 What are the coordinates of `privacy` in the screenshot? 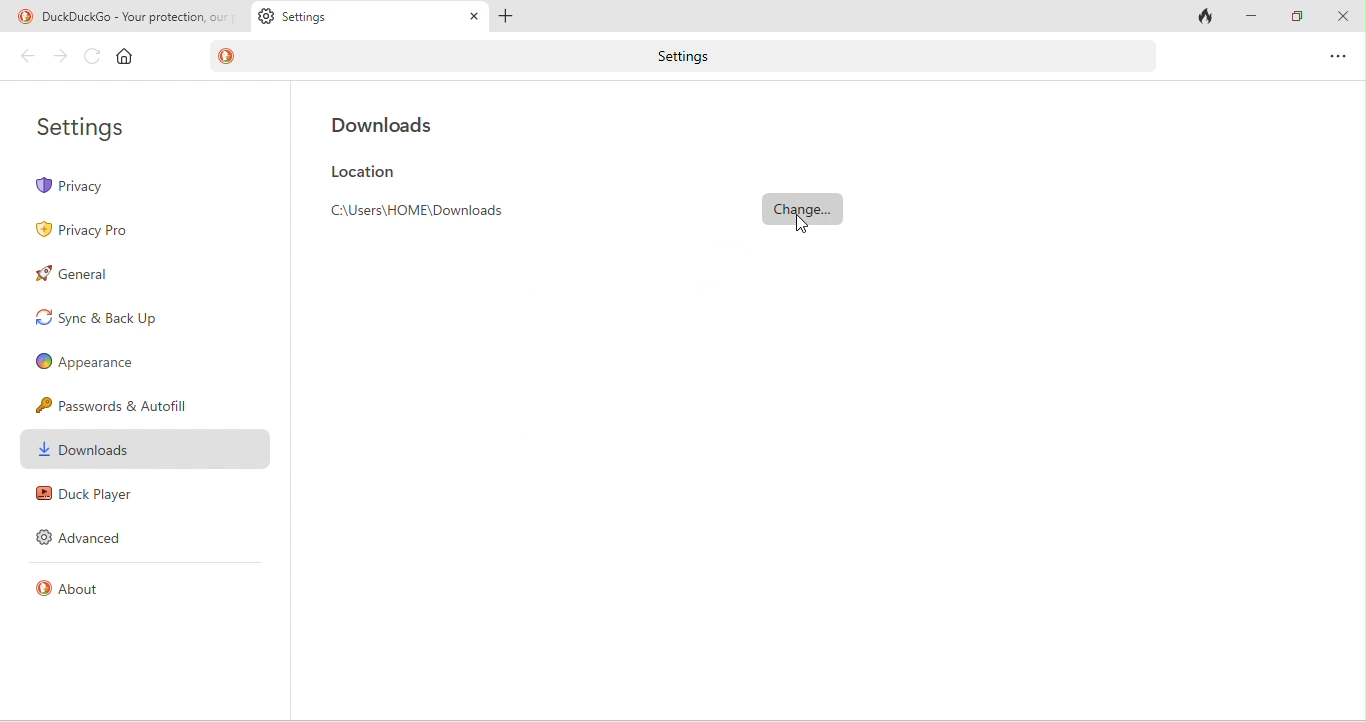 It's located at (148, 184).